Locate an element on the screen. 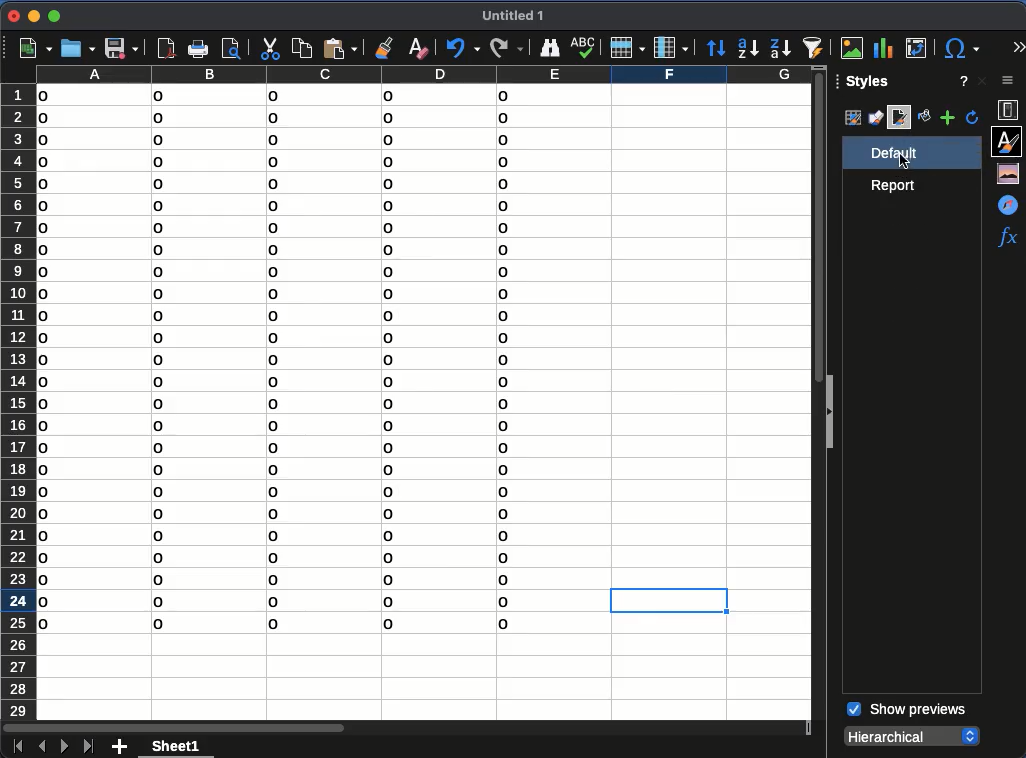 This screenshot has width=1026, height=758. drawing styles is located at coordinates (876, 117).